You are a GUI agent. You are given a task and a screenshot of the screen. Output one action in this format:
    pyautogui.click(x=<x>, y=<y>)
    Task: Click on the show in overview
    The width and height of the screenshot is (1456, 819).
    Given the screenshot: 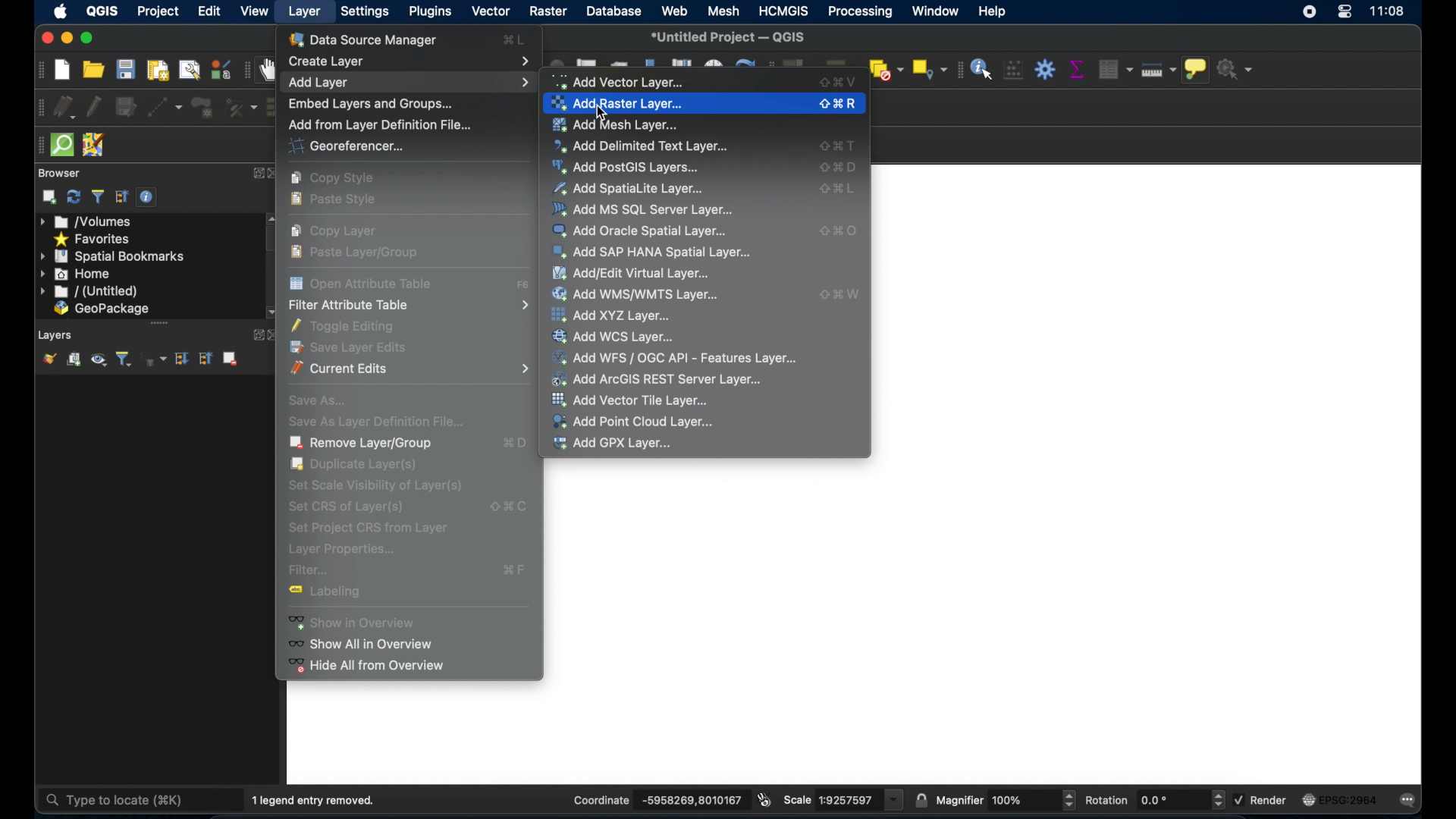 What is the action you would take?
    pyautogui.click(x=361, y=622)
    